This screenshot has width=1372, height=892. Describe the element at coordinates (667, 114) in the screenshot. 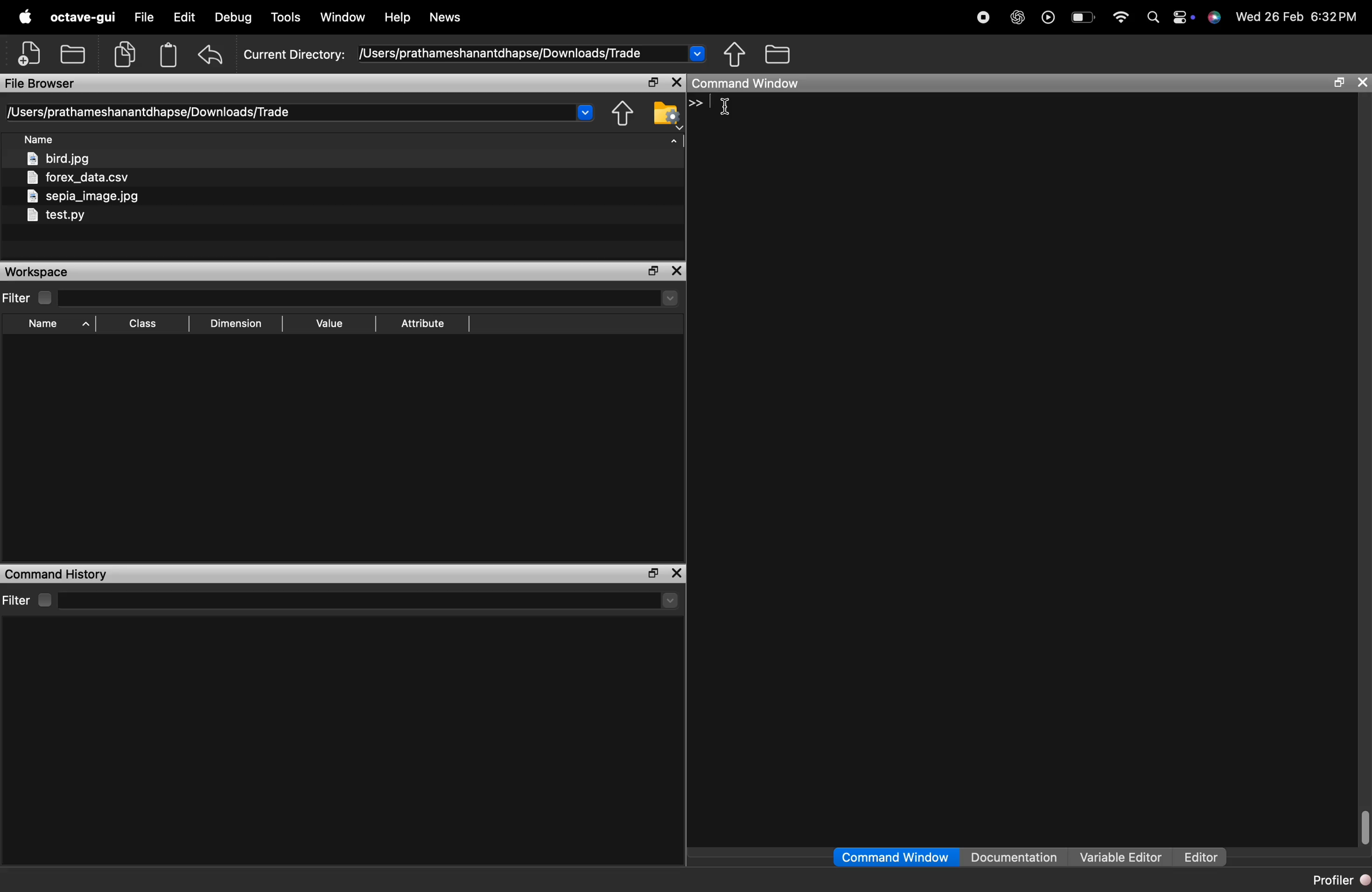

I see `browse your file` at that location.